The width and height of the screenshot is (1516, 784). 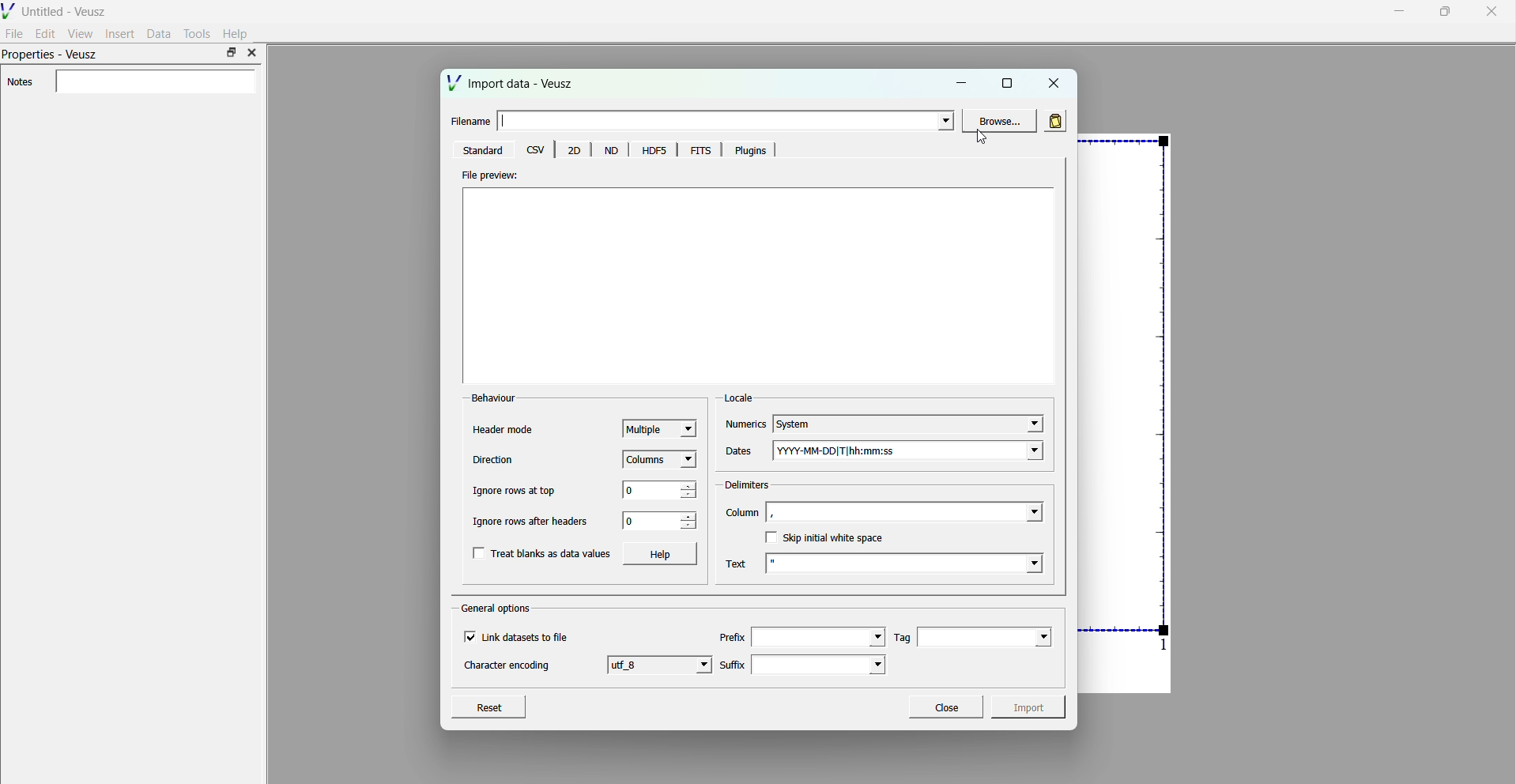 What do you see at coordinates (741, 454) in the screenshot?
I see `Dates` at bounding box center [741, 454].